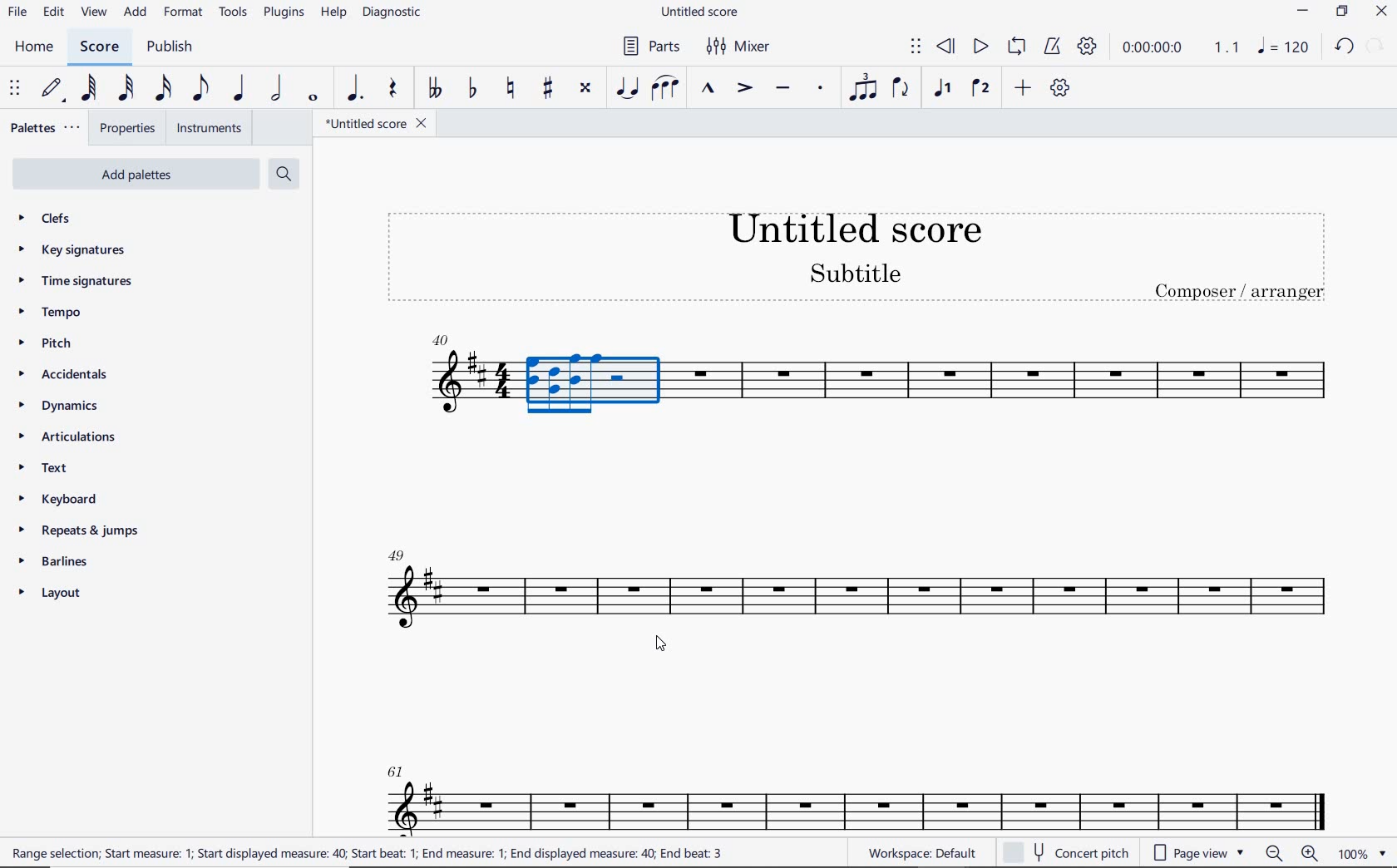  What do you see at coordinates (743, 90) in the screenshot?
I see `ACCENT` at bounding box center [743, 90].